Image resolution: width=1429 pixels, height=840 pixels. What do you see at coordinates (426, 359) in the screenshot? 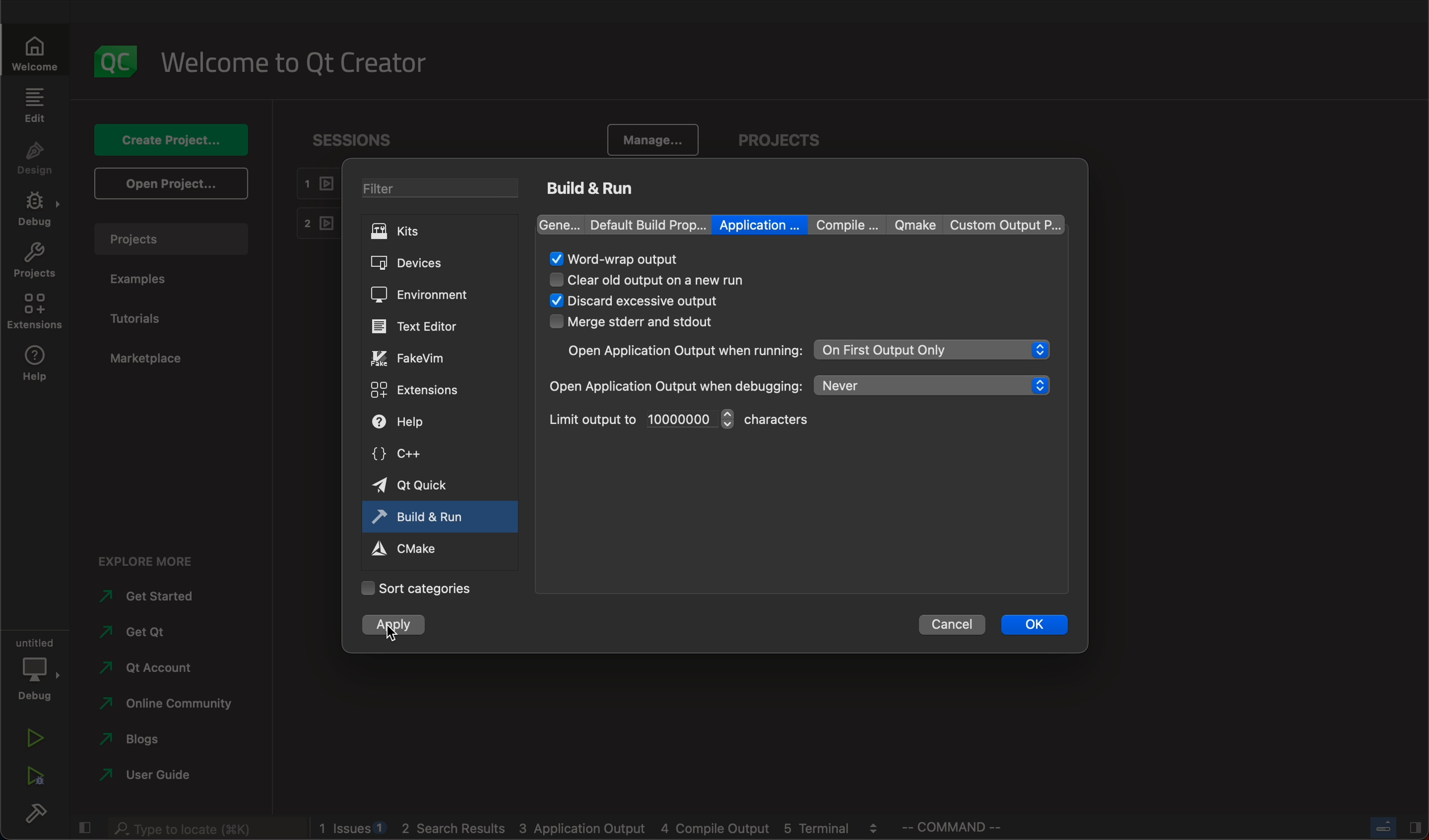
I see `fakevim` at bounding box center [426, 359].